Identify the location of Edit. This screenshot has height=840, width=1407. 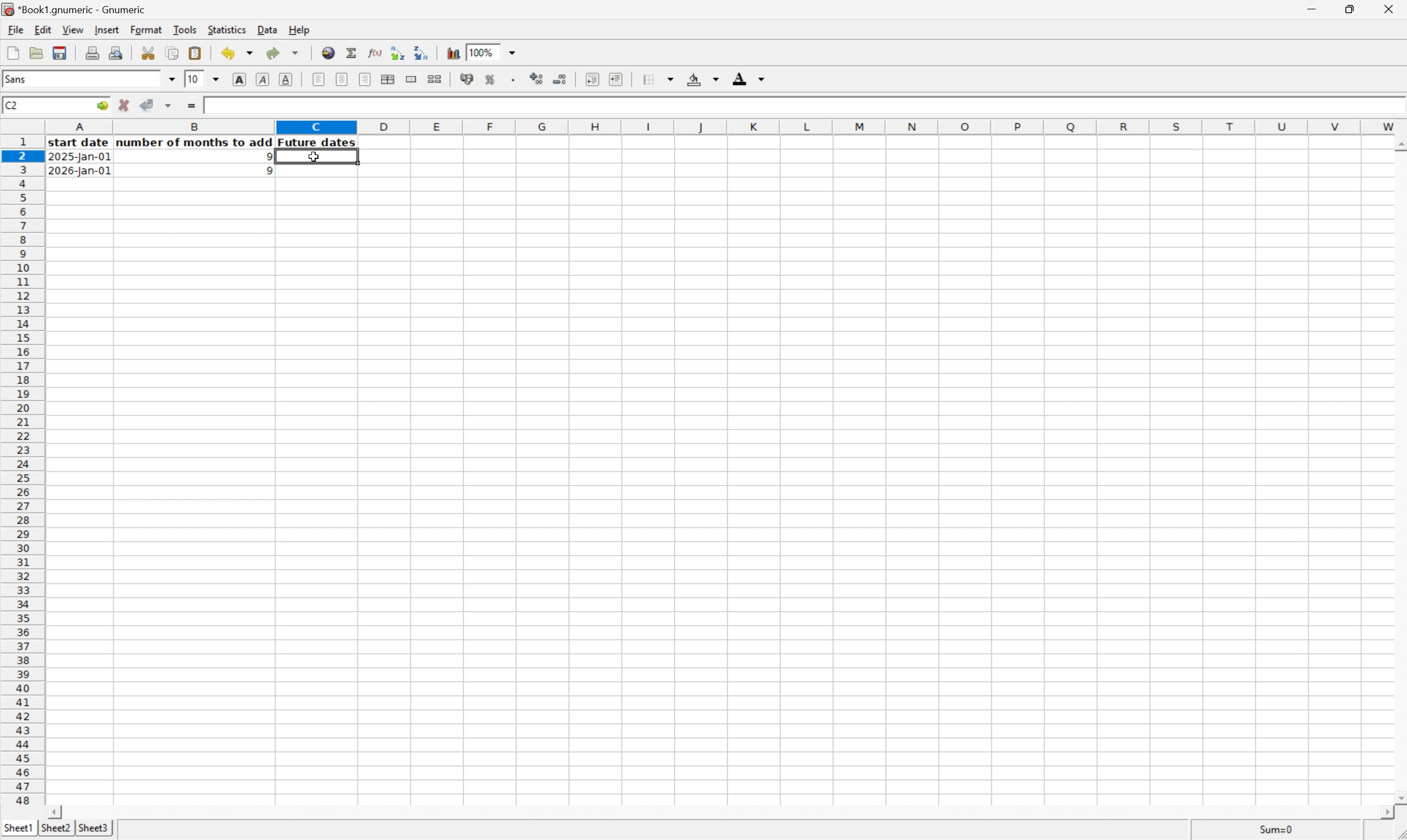
(43, 29).